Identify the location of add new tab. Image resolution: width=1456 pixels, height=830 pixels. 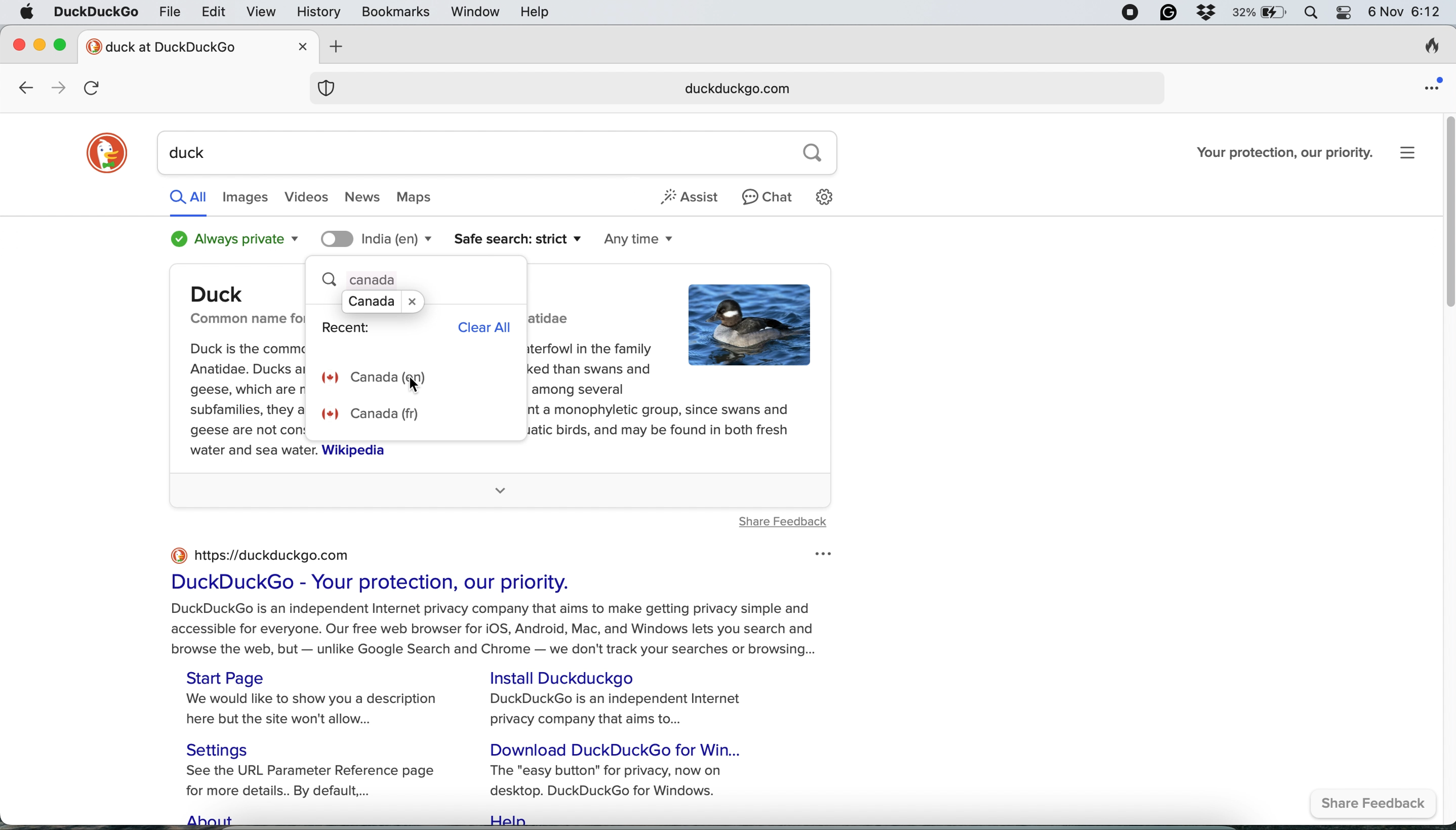
(332, 47).